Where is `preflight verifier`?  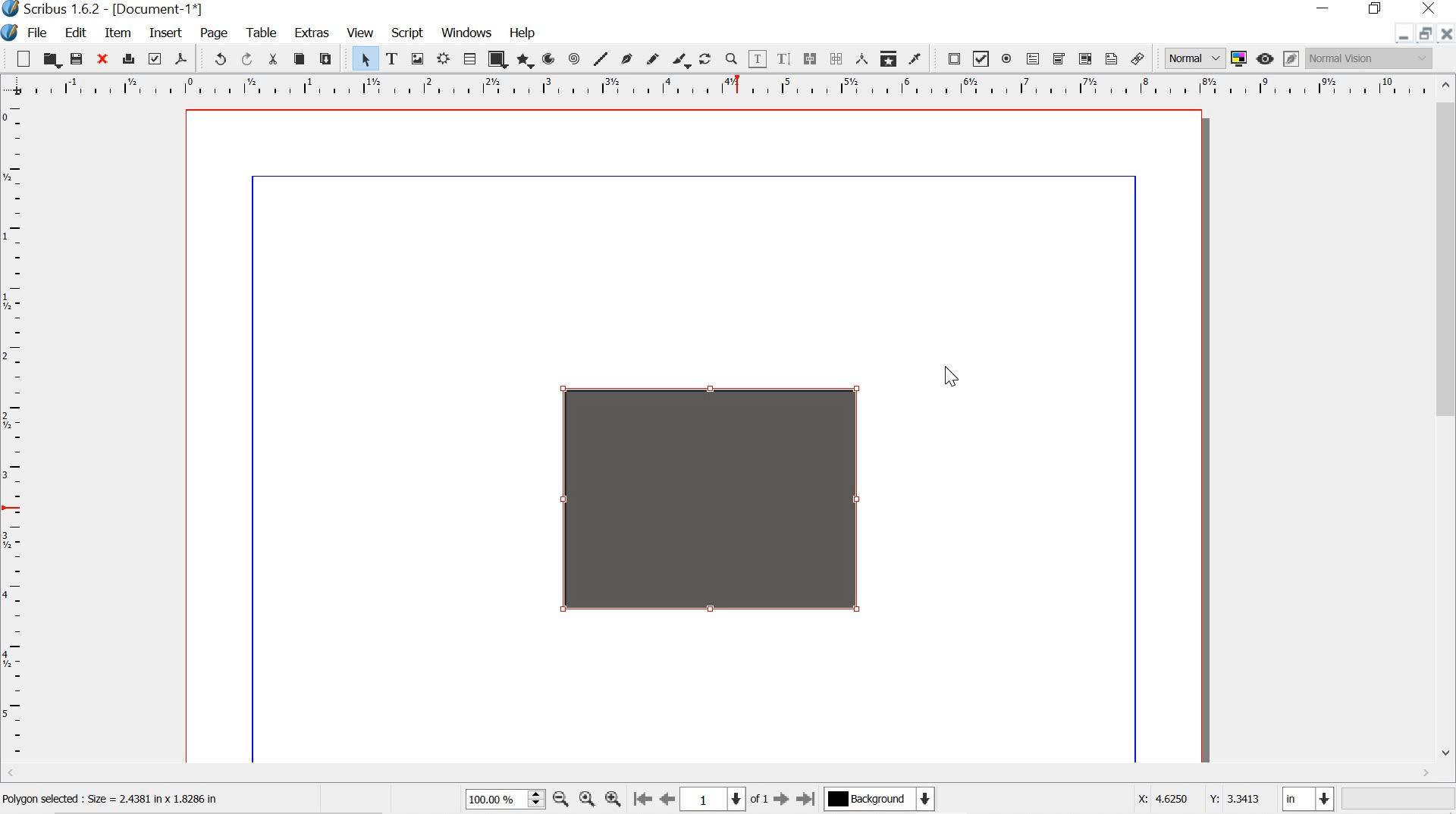 preflight verifier is located at coordinates (153, 58).